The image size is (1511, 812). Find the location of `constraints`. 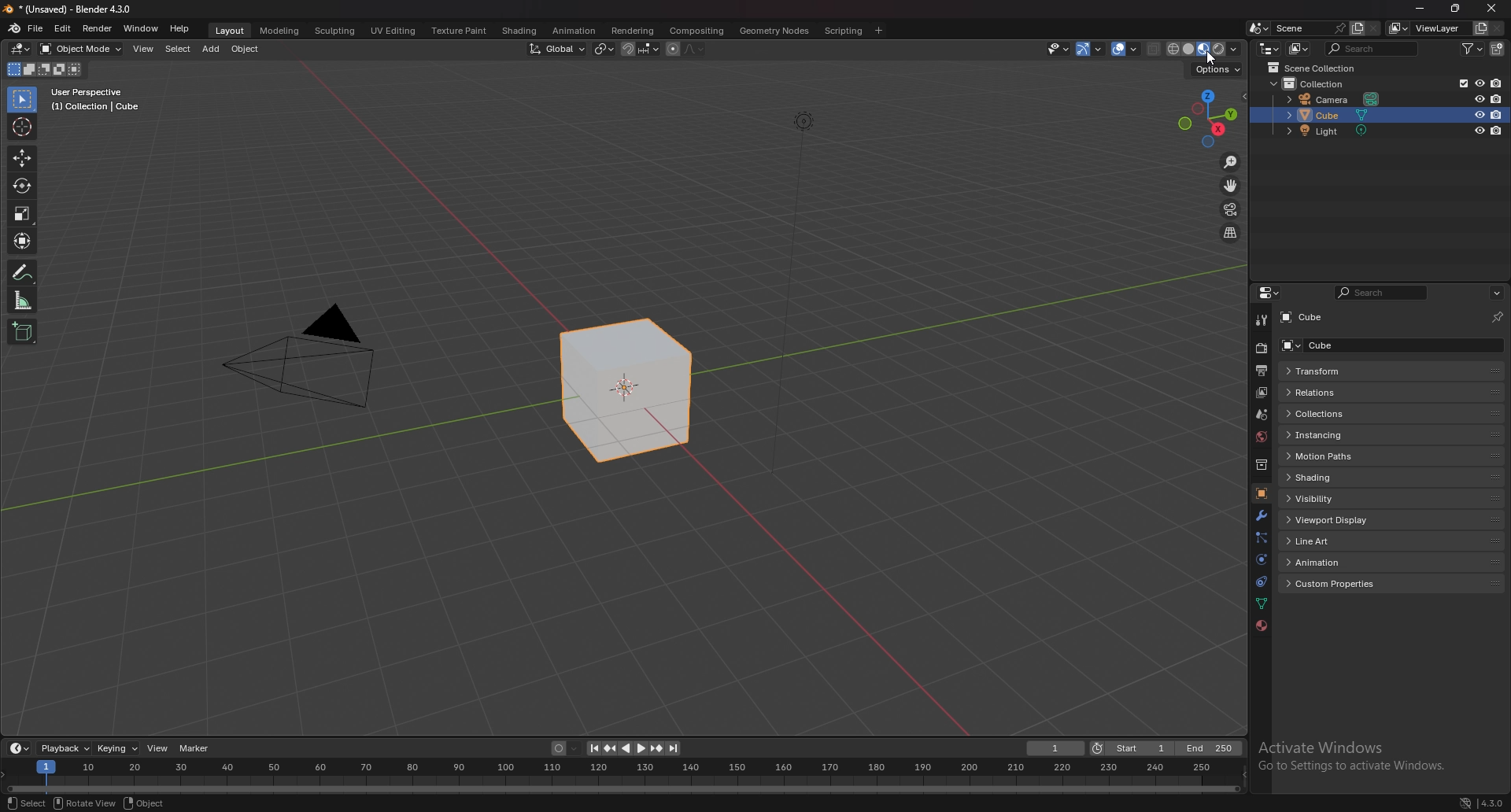

constraints is located at coordinates (1261, 582).